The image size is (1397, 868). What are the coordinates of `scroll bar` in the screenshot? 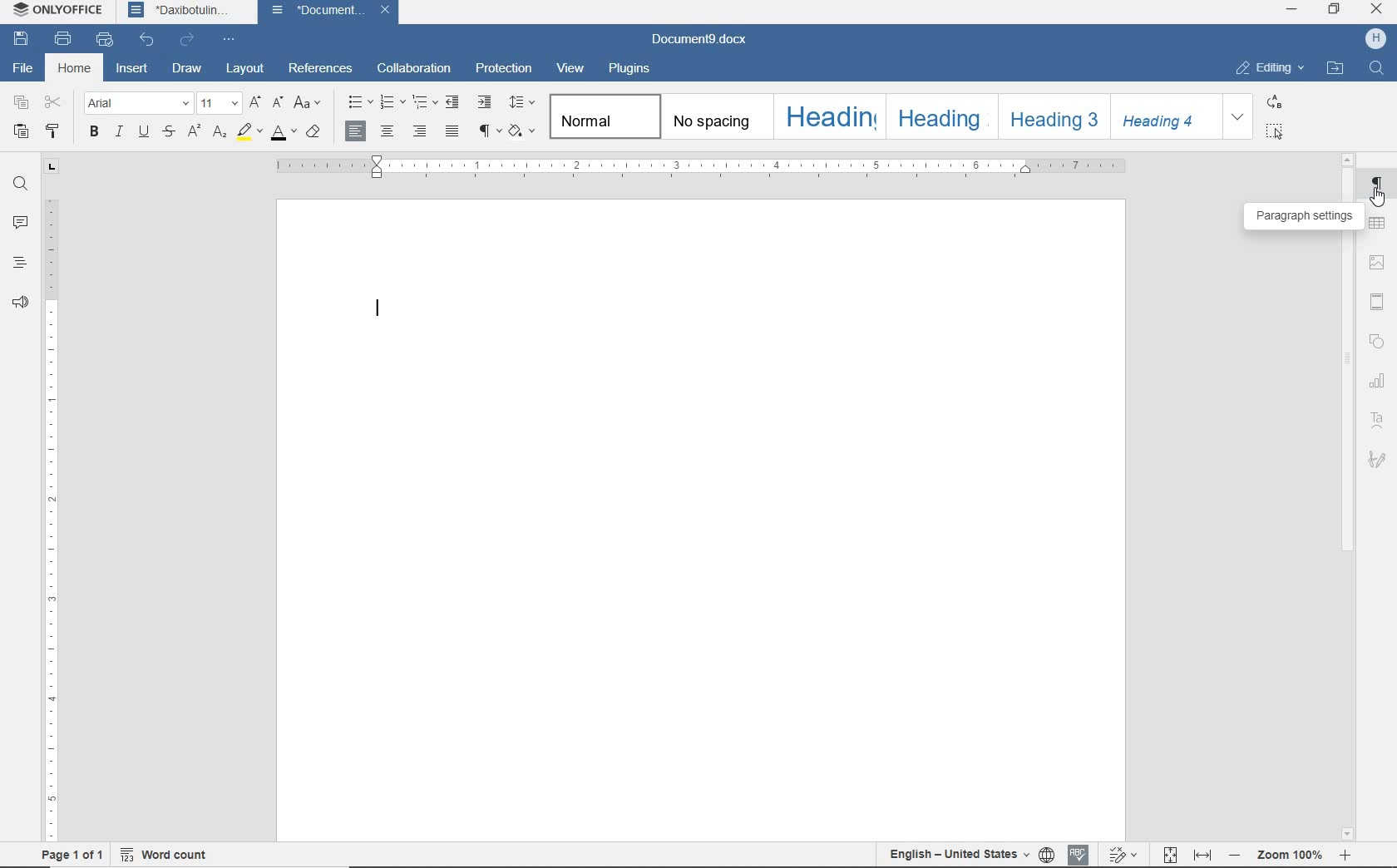 It's located at (1348, 496).